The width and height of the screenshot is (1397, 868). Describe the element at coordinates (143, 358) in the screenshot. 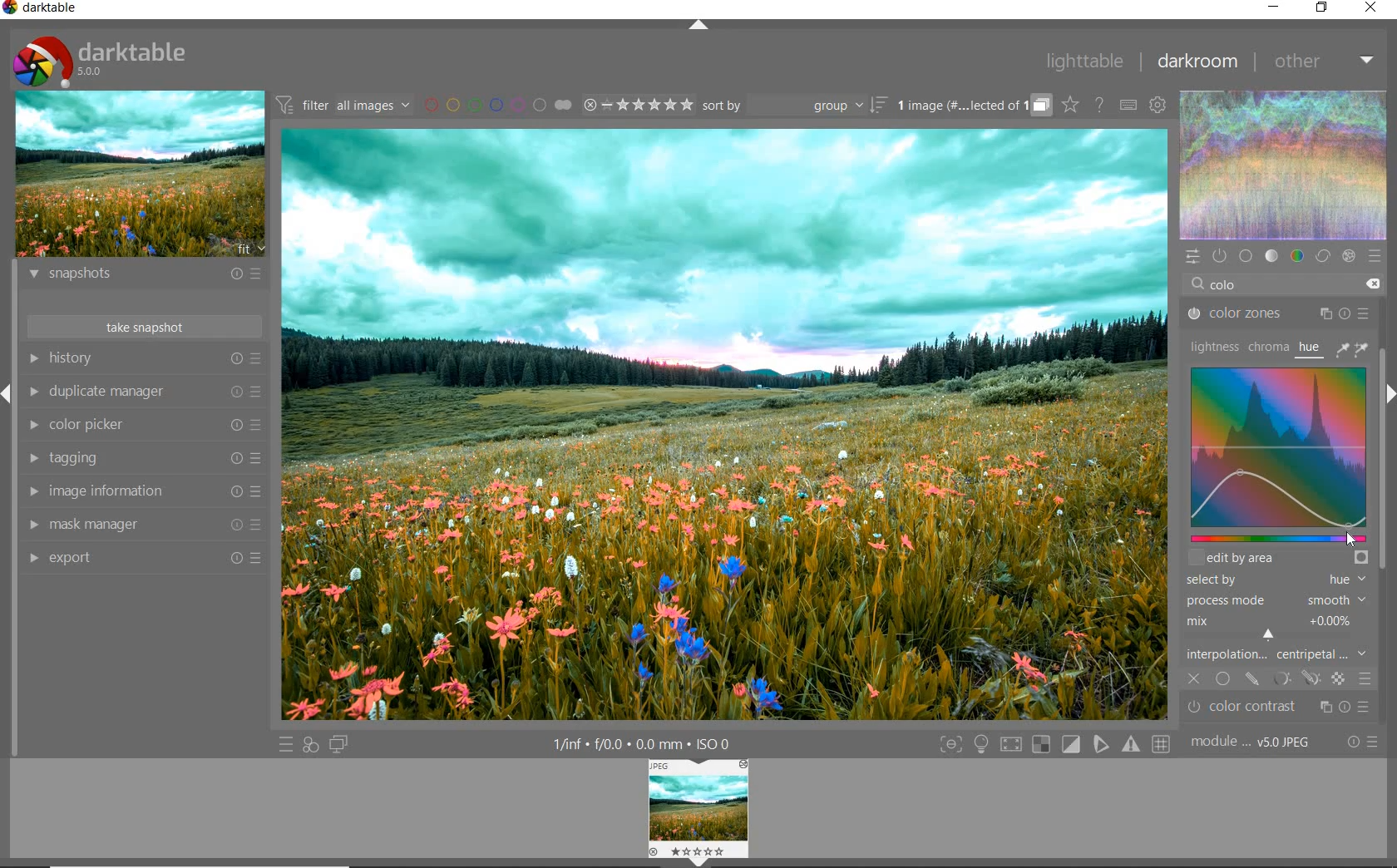

I see `history` at that location.